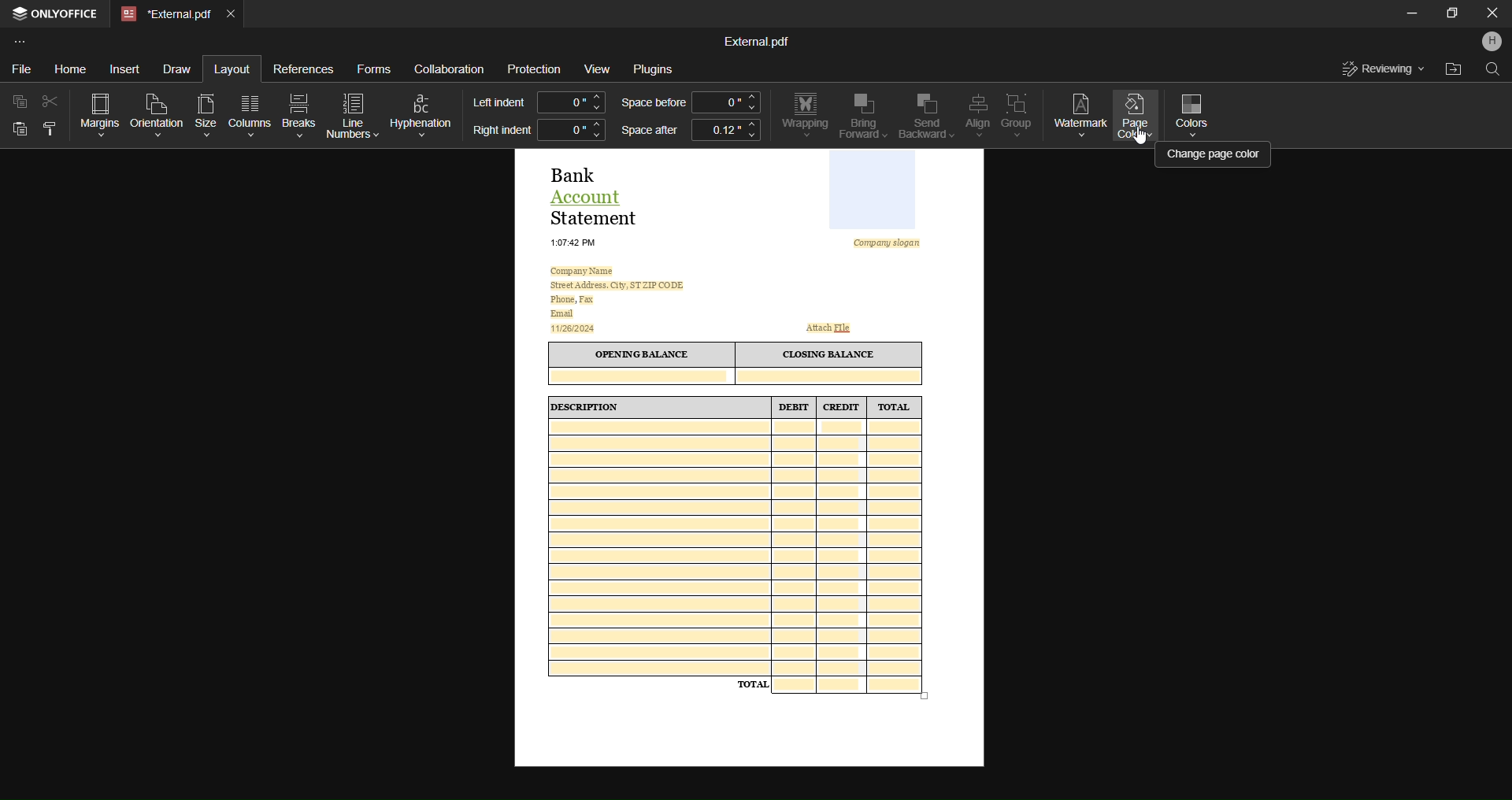 The width and height of the screenshot is (1512, 800). Describe the element at coordinates (757, 40) in the screenshot. I see `External.pdf(File Name)` at that location.